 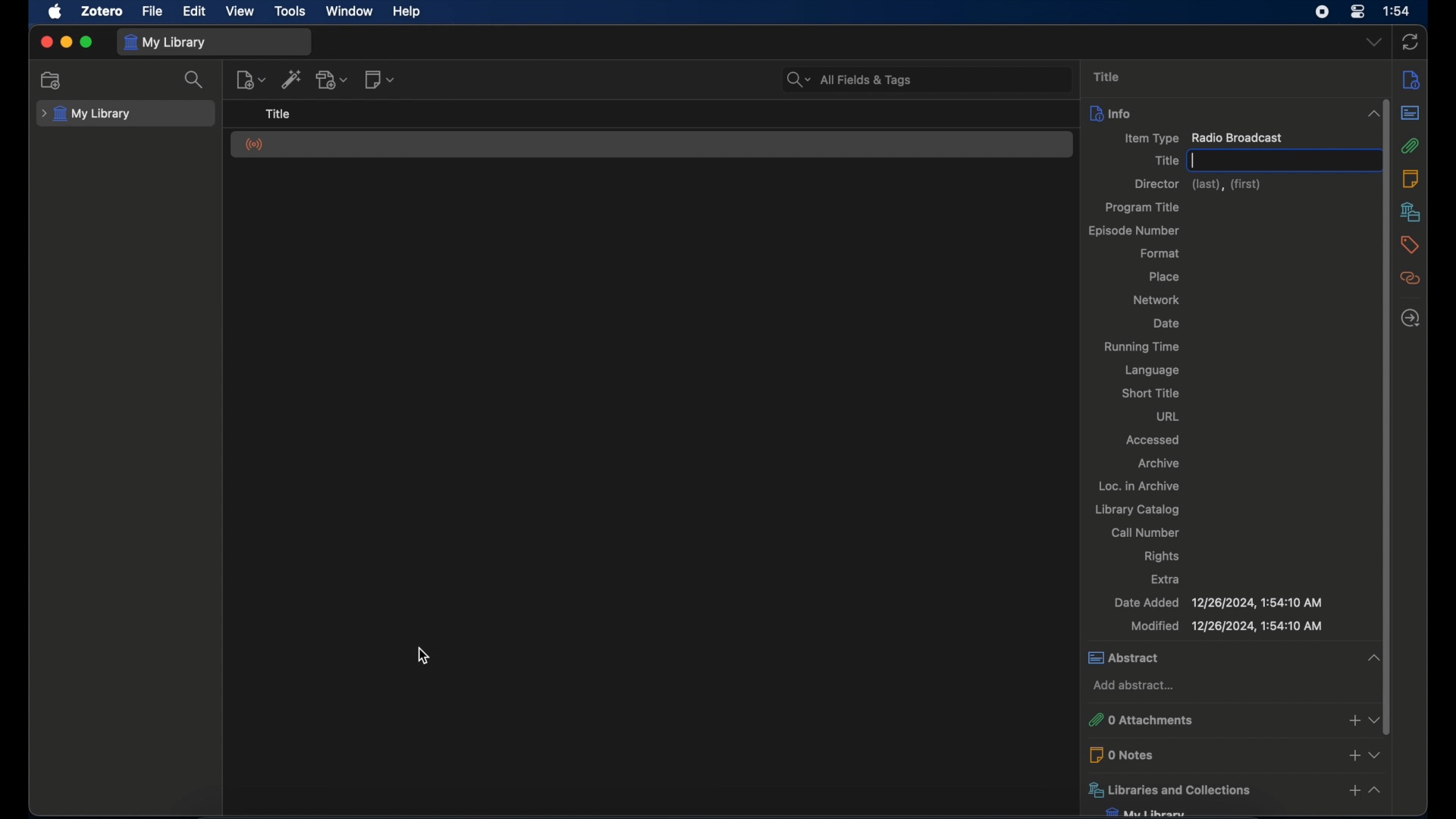 What do you see at coordinates (291, 11) in the screenshot?
I see `tools` at bounding box center [291, 11].